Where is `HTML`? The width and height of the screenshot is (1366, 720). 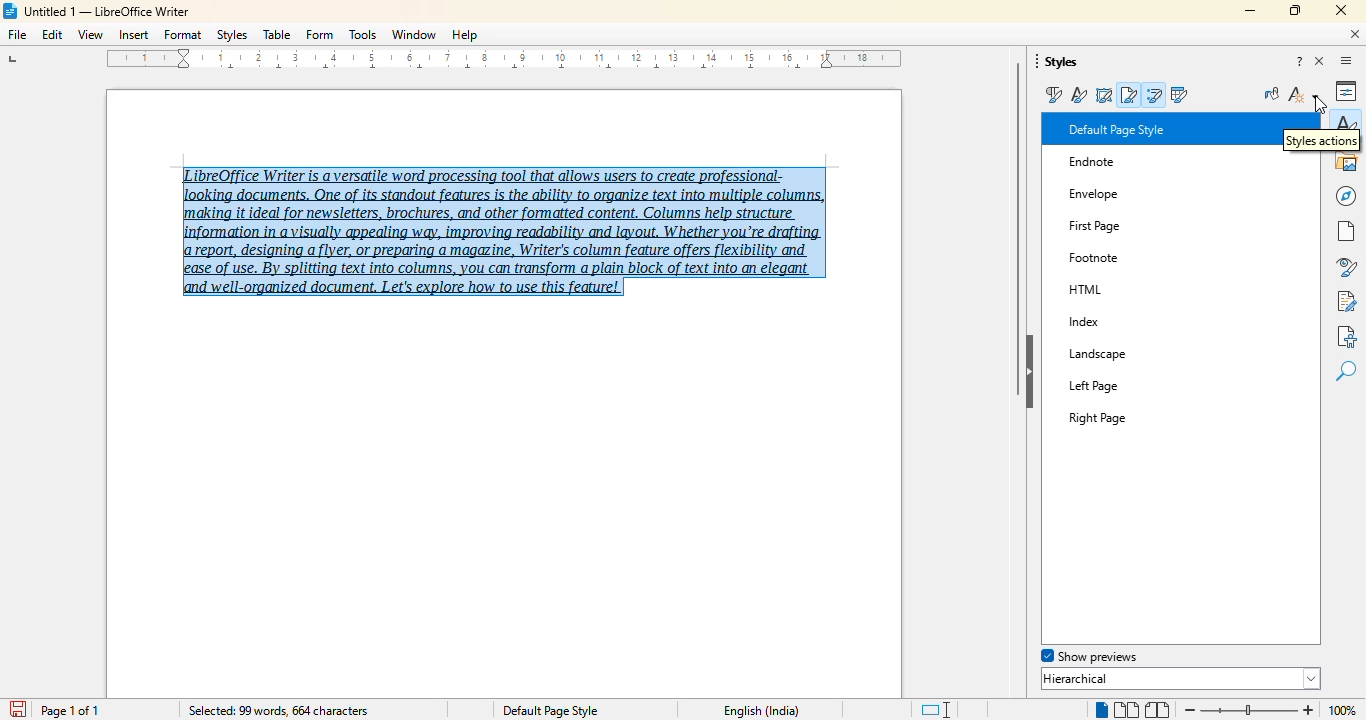 HTML is located at coordinates (1108, 286).